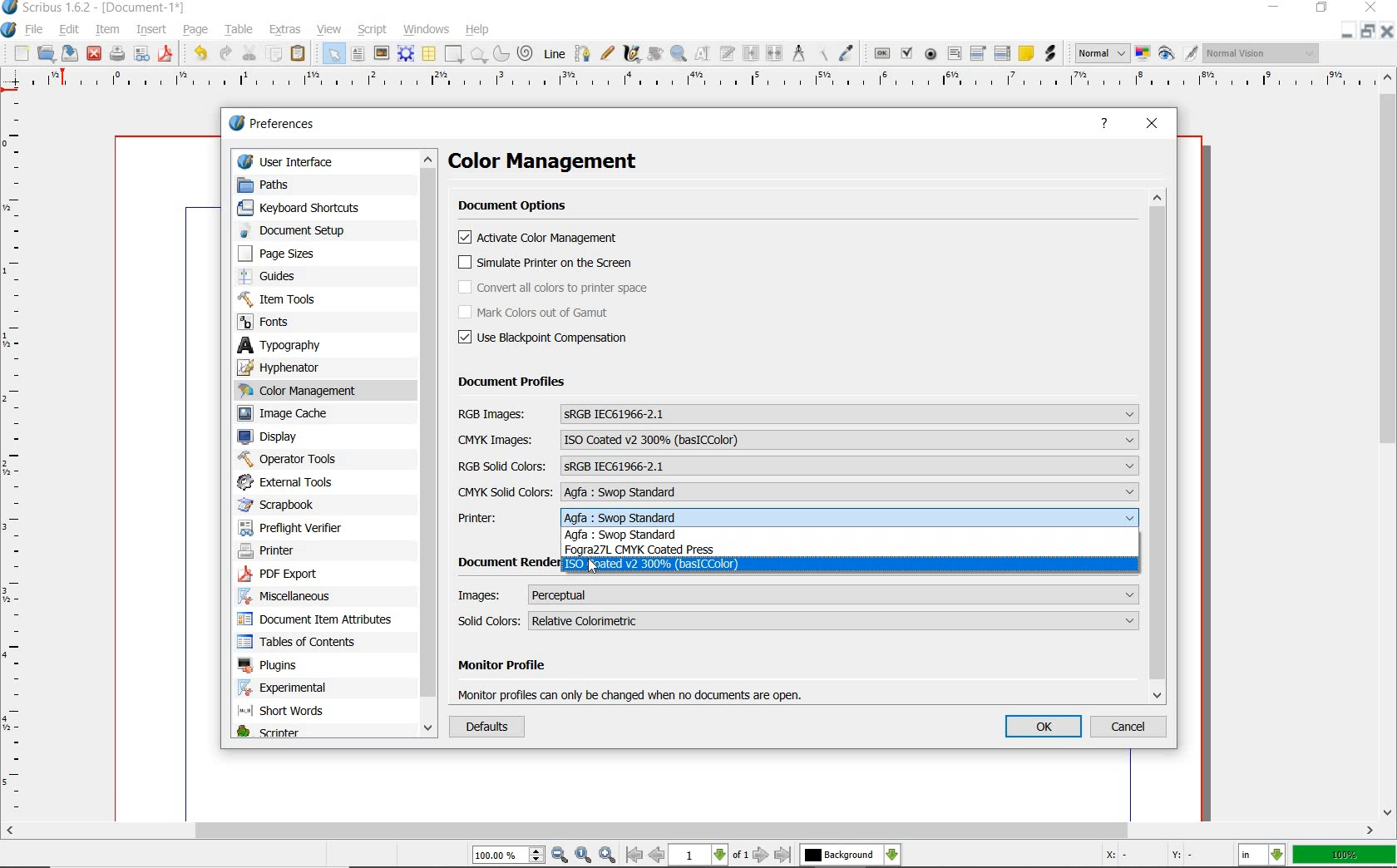 The width and height of the screenshot is (1397, 868). I want to click on scrapbook, so click(288, 506).